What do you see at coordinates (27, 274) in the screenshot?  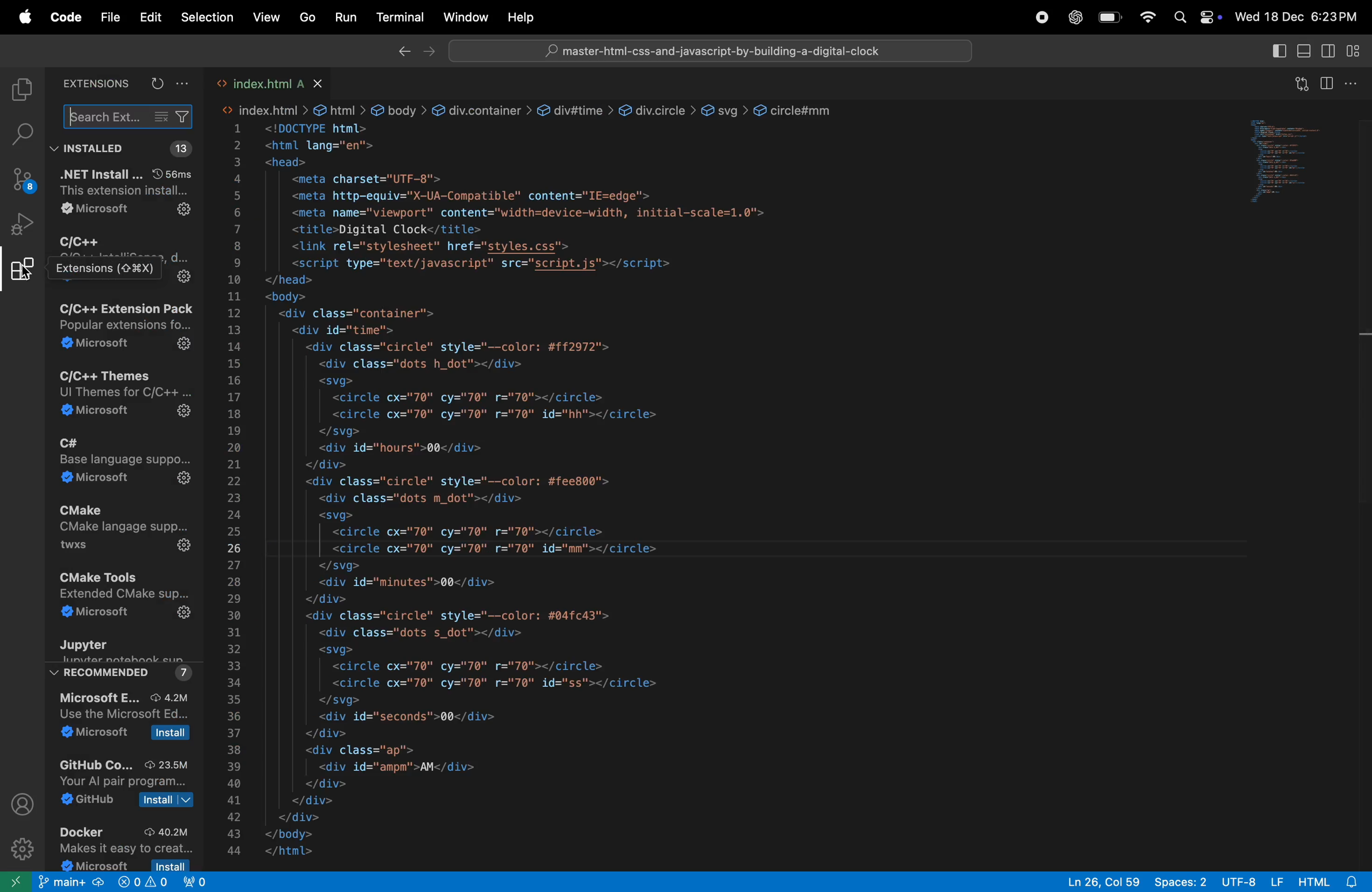 I see `cursor` at bounding box center [27, 274].